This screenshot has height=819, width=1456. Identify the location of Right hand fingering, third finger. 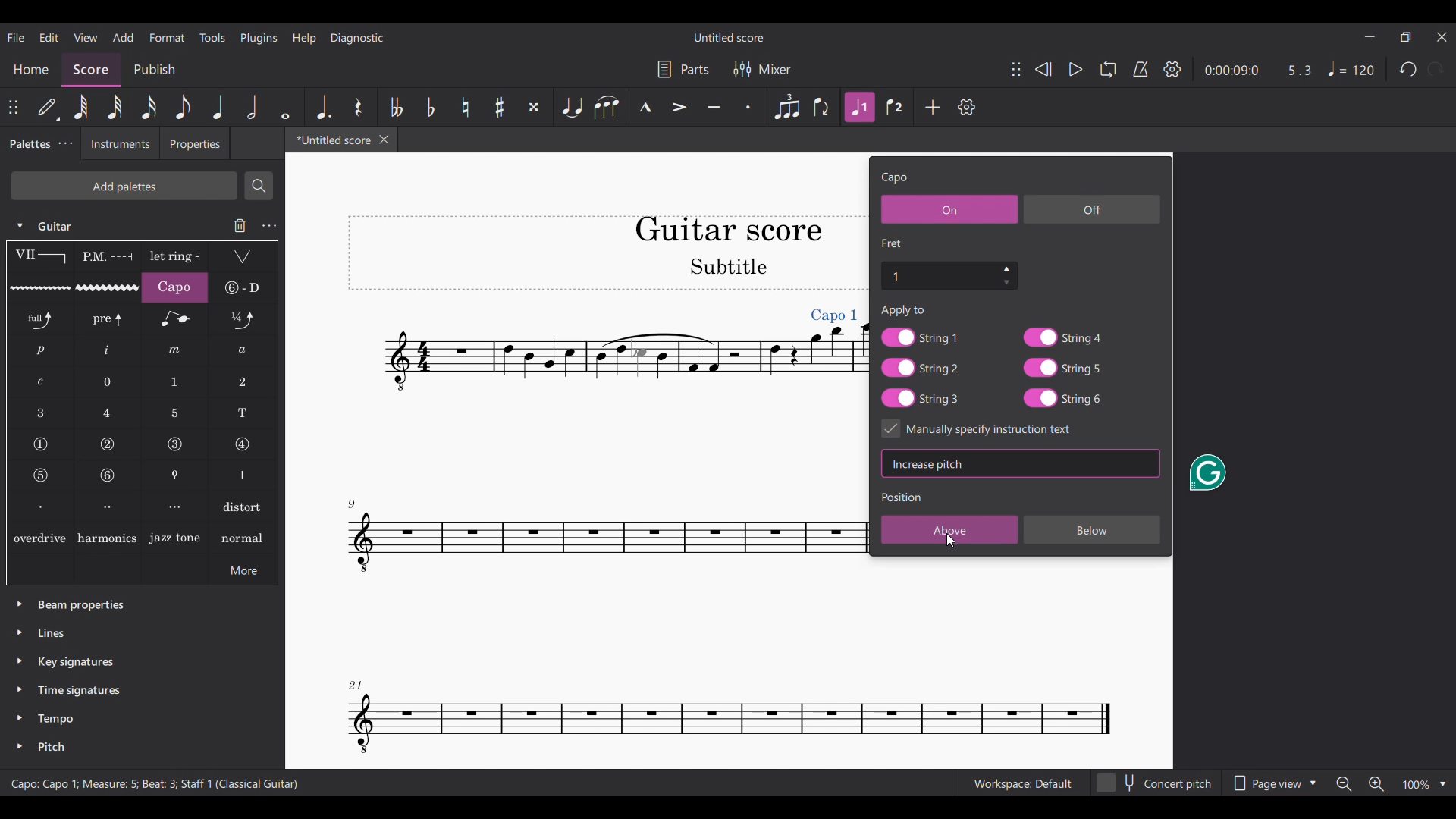
(176, 507).